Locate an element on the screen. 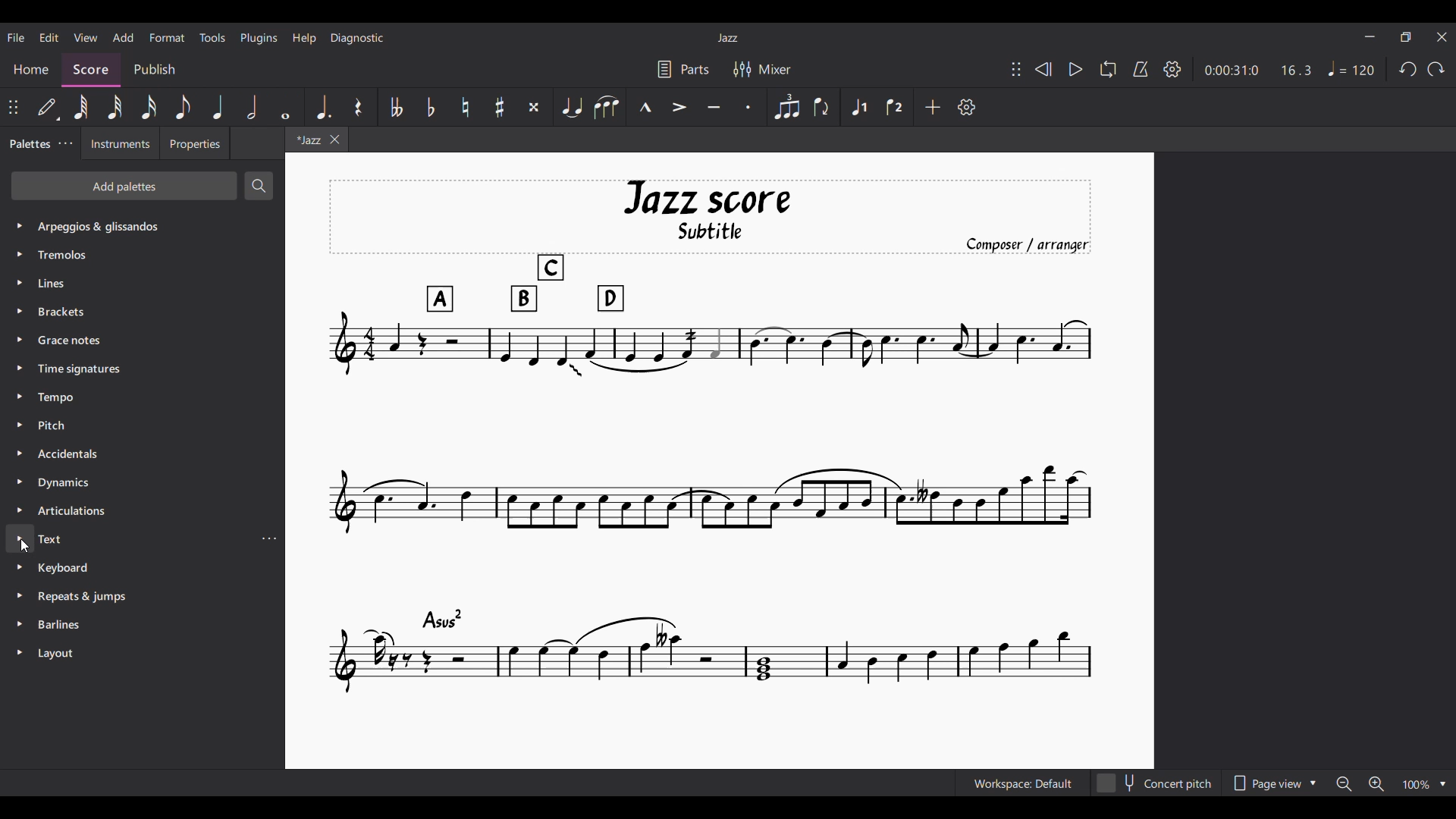 This screenshot has height=819, width=1456. Voice 1 is located at coordinates (858, 107).